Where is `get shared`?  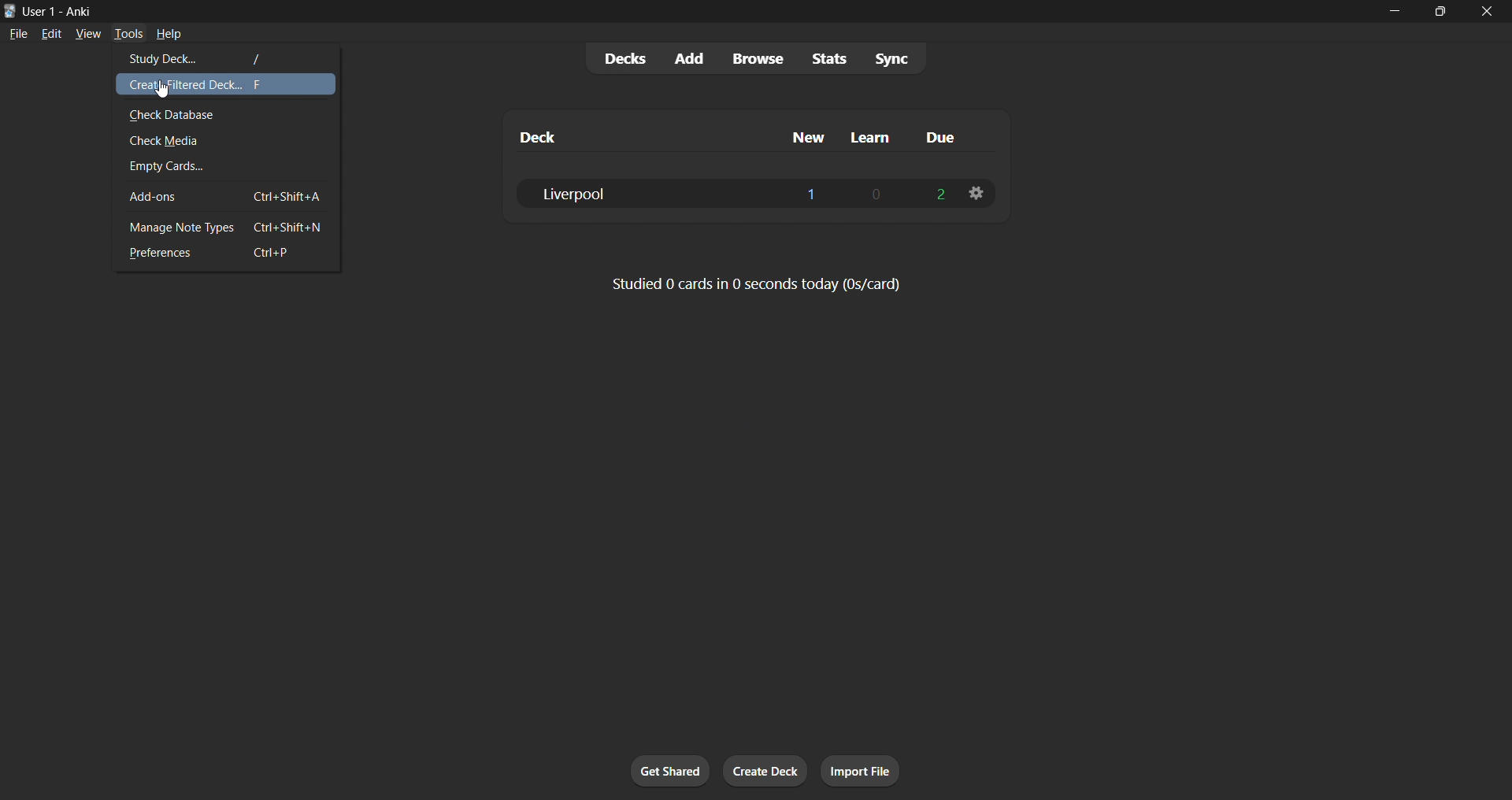
get shared is located at coordinates (672, 770).